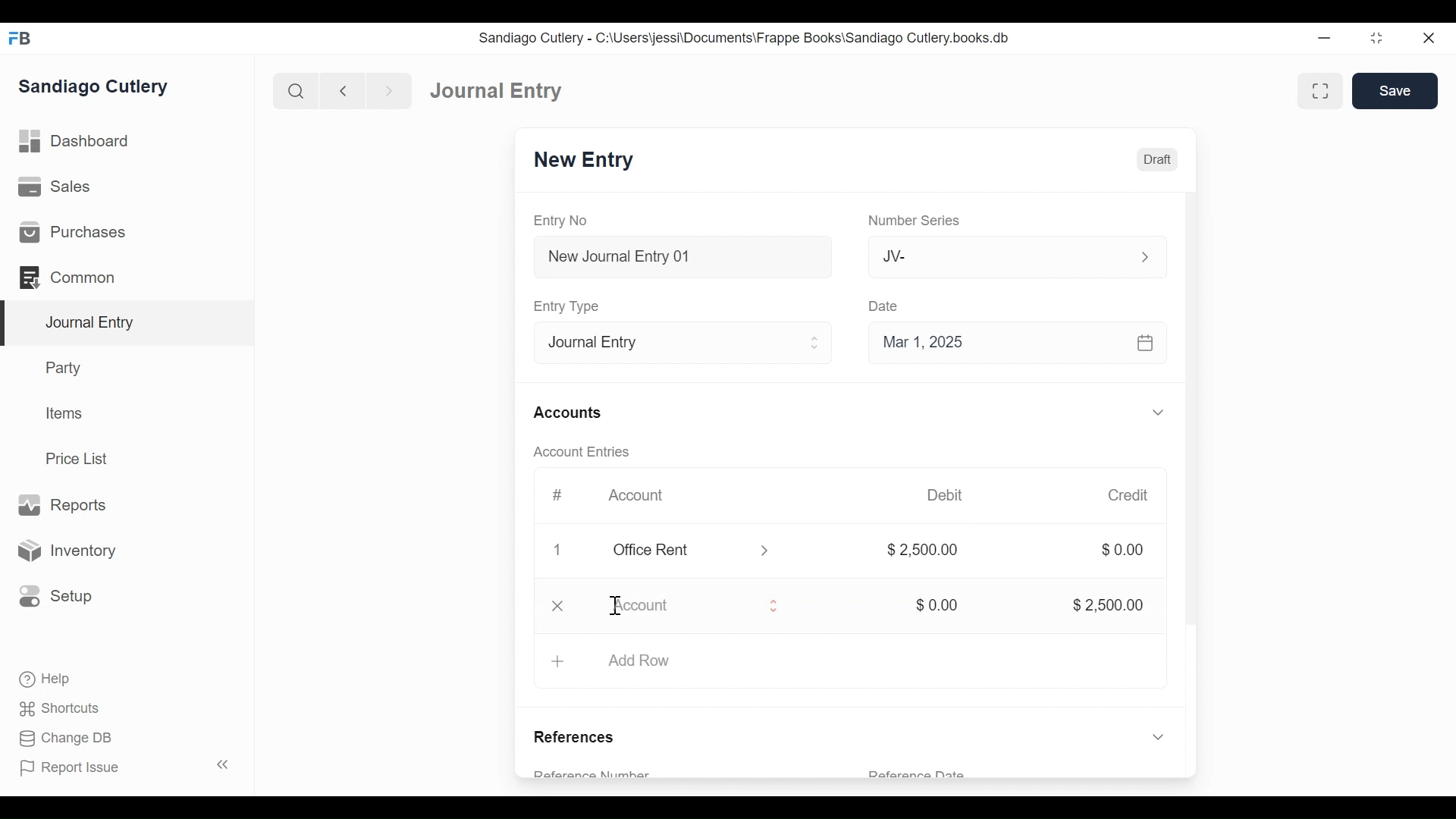 The image size is (1456, 819). What do you see at coordinates (848, 664) in the screenshot?
I see `Add Row` at bounding box center [848, 664].